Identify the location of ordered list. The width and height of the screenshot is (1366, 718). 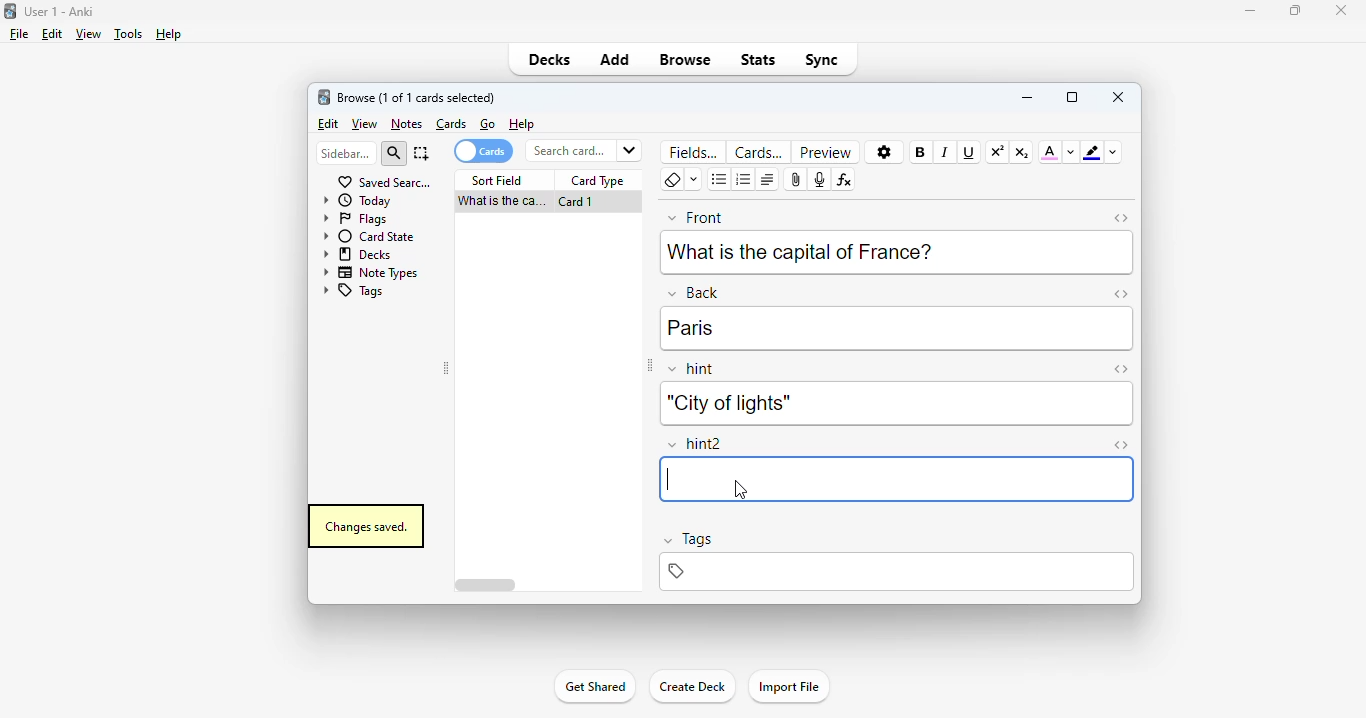
(744, 180).